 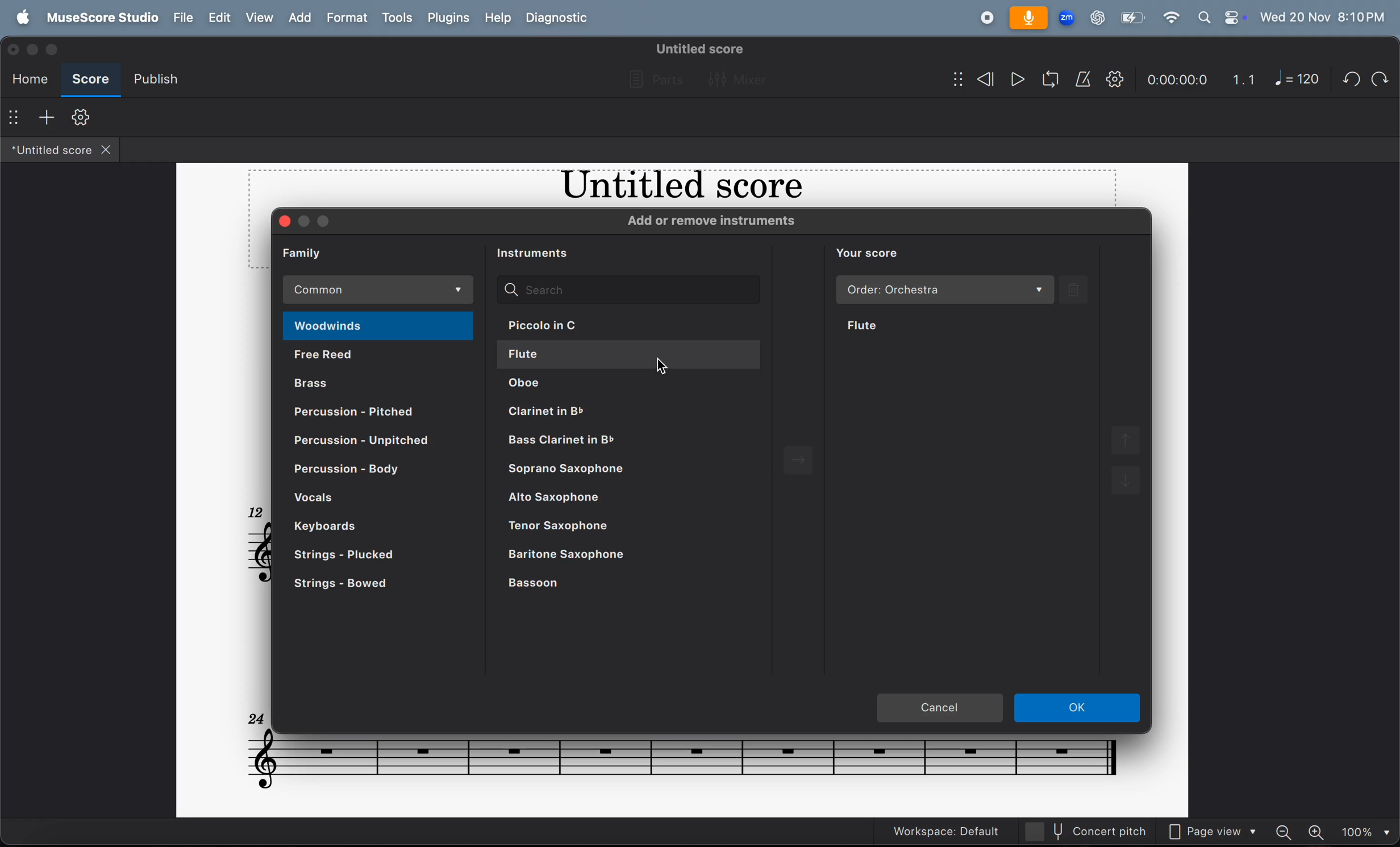 What do you see at coordinates (182, 18) in the screenshot?
I see `file` at bounding box center [182, 18].